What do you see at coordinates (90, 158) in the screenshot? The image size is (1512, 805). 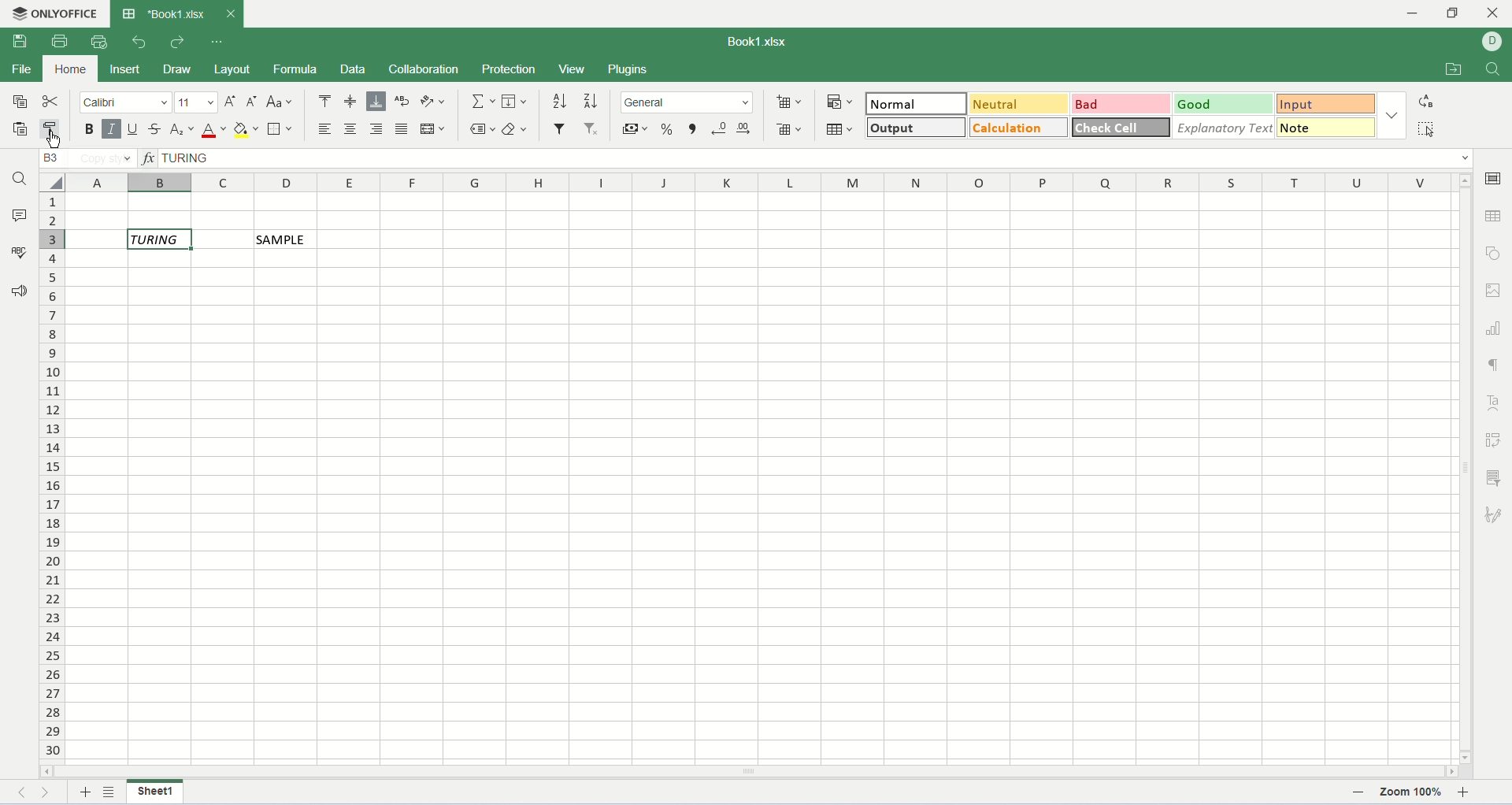 I see `cell position` at bounding box center [90, 158].